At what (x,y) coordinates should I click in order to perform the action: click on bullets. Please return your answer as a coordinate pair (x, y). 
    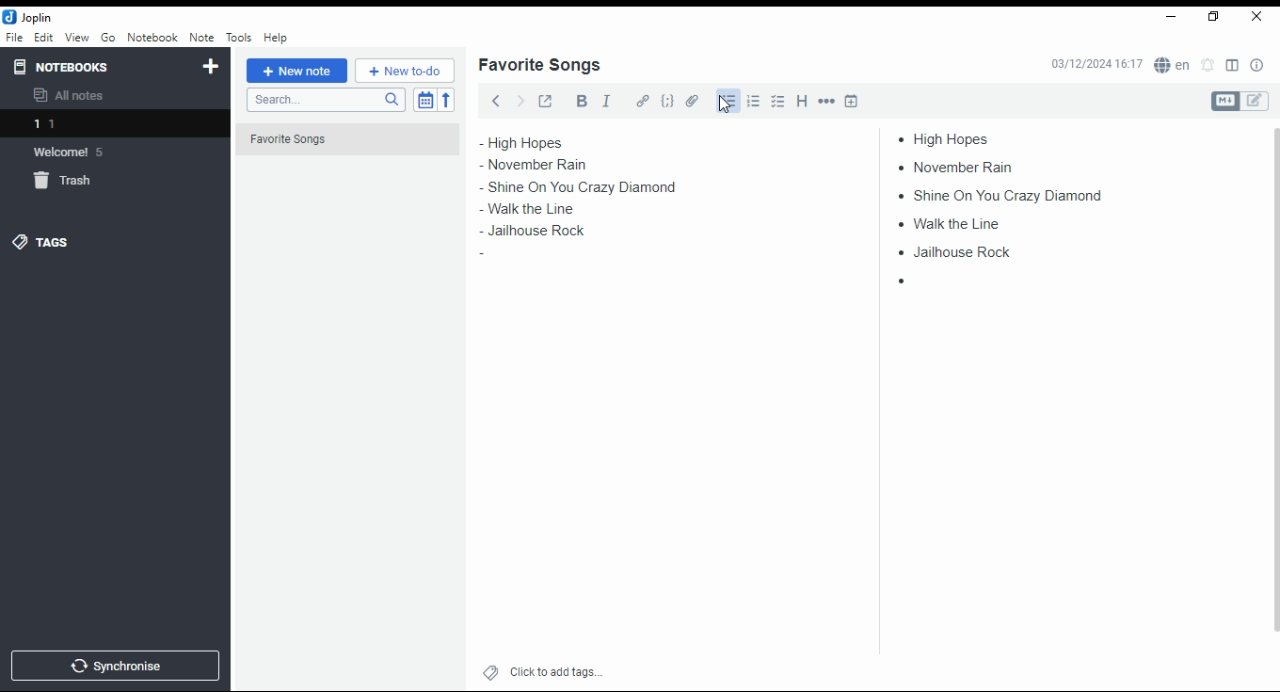
    Looking at the image, I should click on (726, 101).